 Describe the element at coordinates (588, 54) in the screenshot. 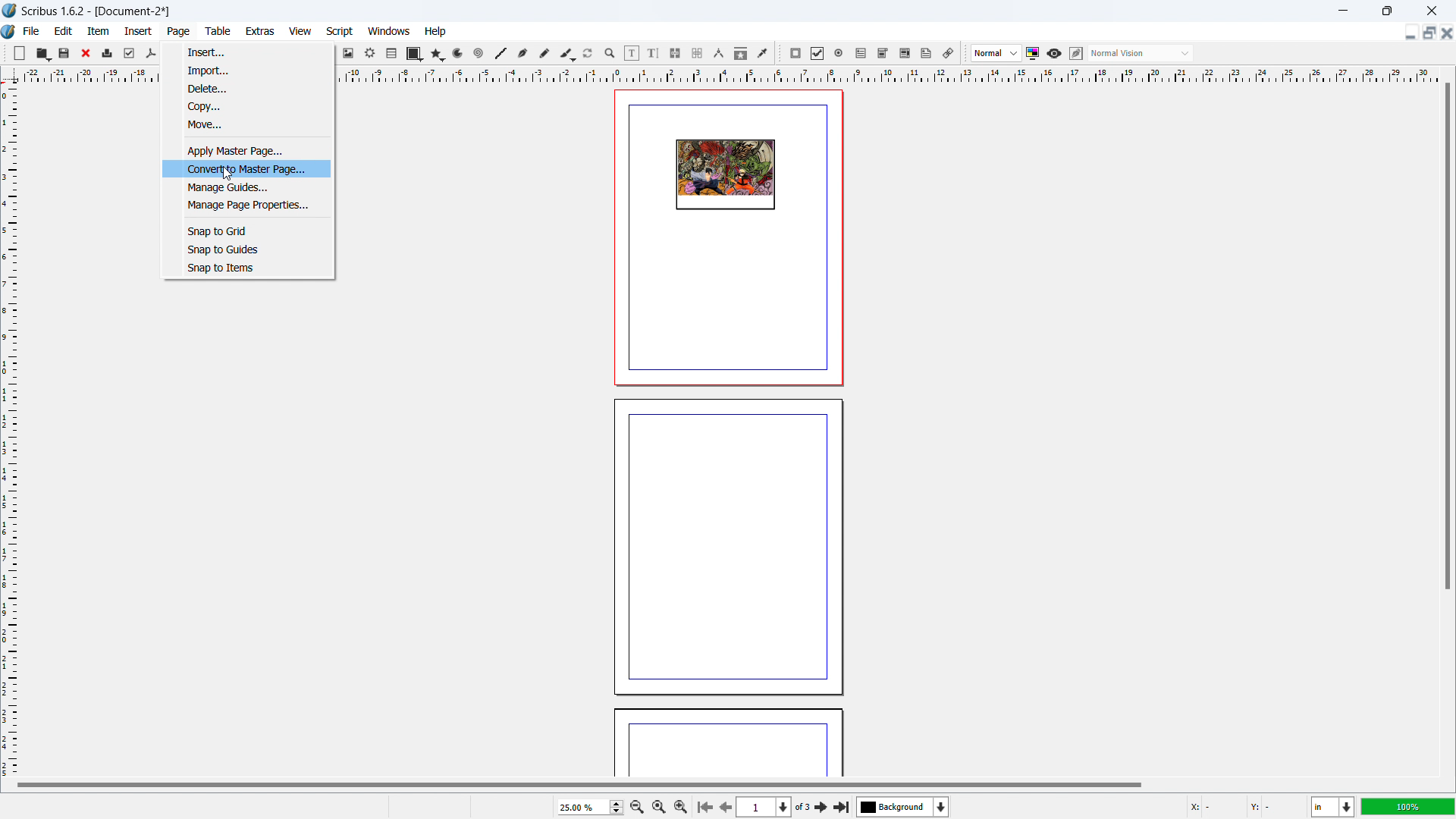

I see `rotate item` at that location.